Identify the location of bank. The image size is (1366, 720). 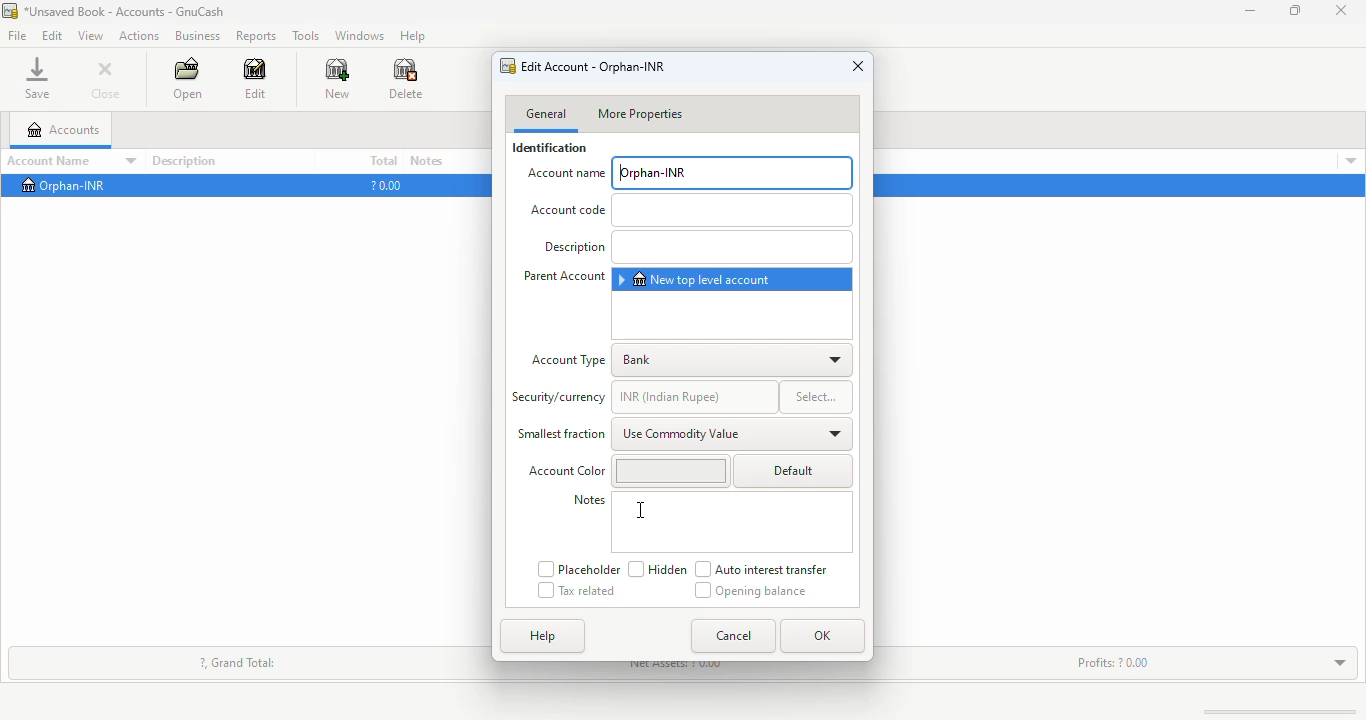
(733, 360).